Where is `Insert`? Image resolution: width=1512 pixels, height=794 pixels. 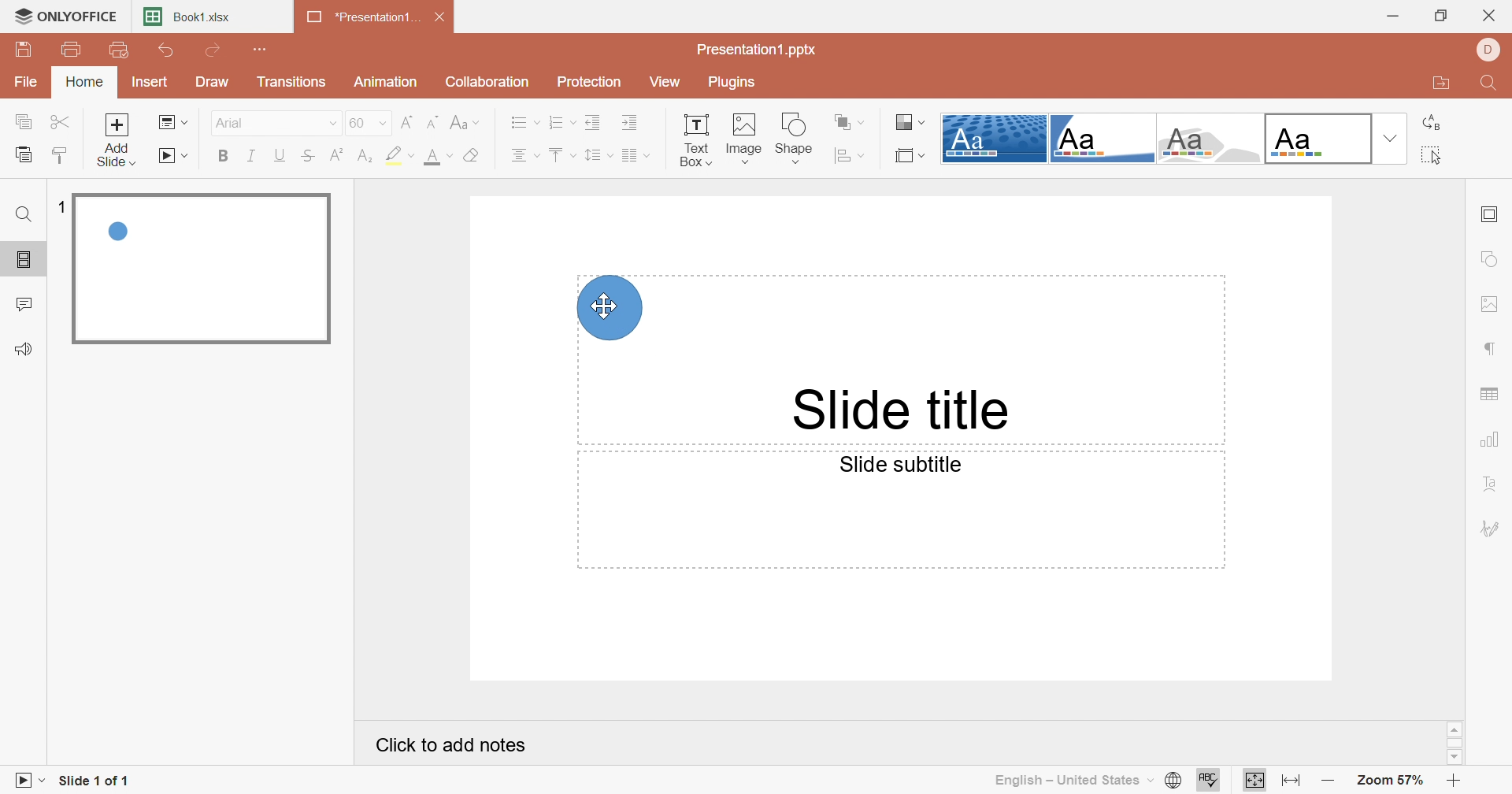
Insert is located at coordinates (149, 80).